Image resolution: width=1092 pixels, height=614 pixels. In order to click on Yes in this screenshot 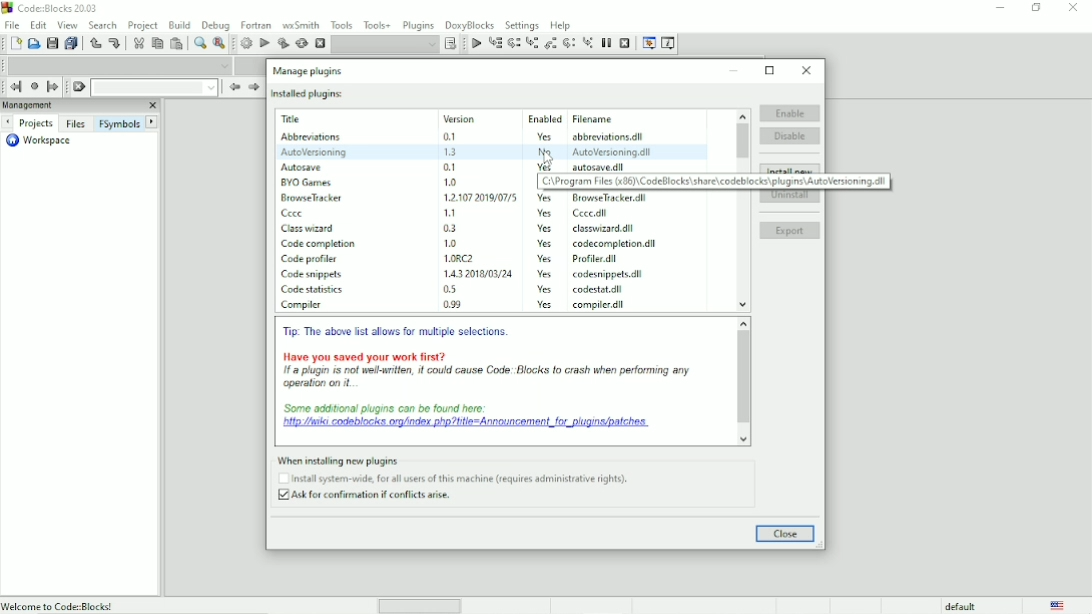, I will do `click(544, 288)`.